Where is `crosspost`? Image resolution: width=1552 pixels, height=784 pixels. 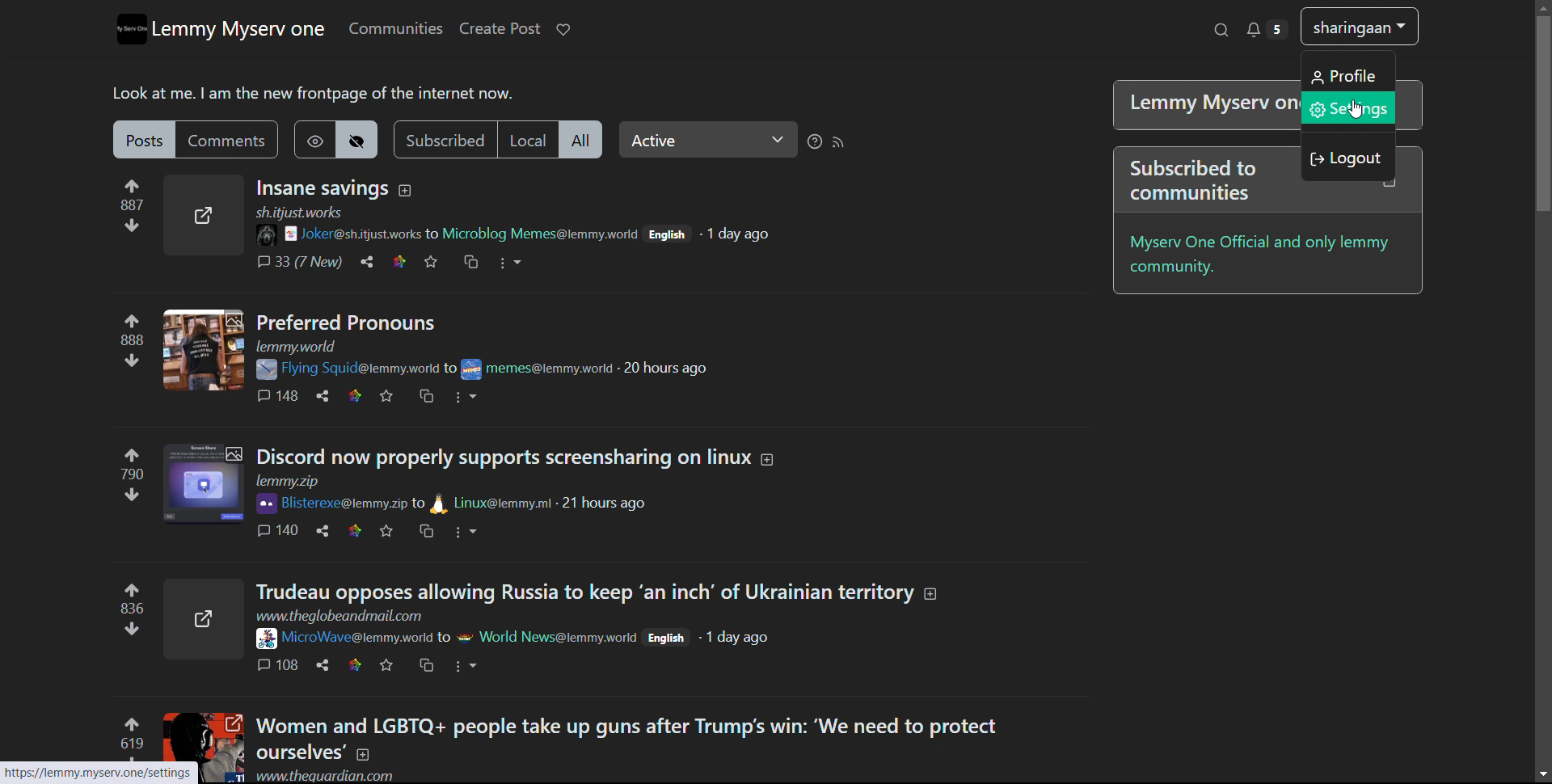 crosspost is located at coordinates (469, 261).